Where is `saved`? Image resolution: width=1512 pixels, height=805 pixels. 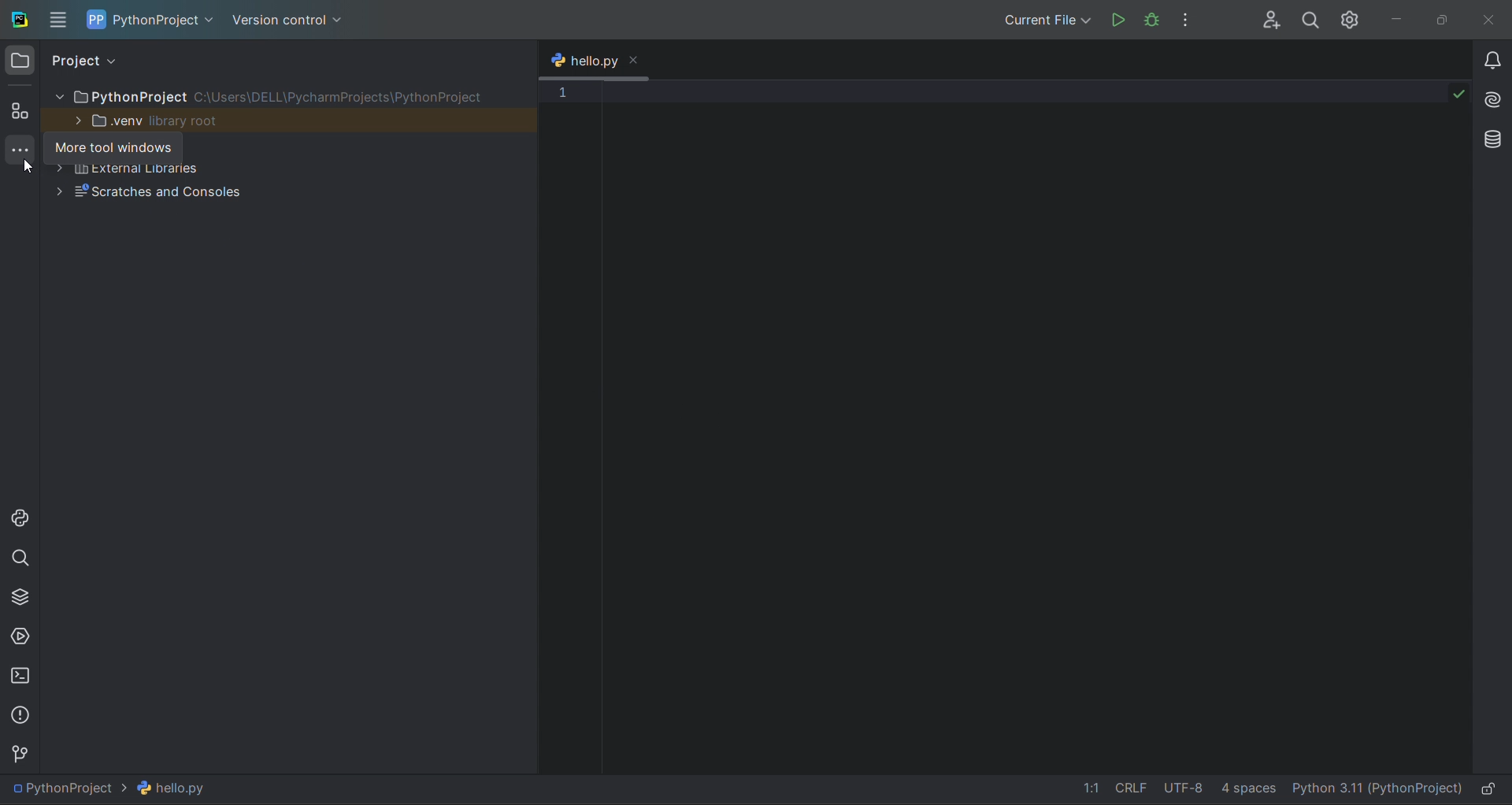 saved is located at coordinates (1459, 92).